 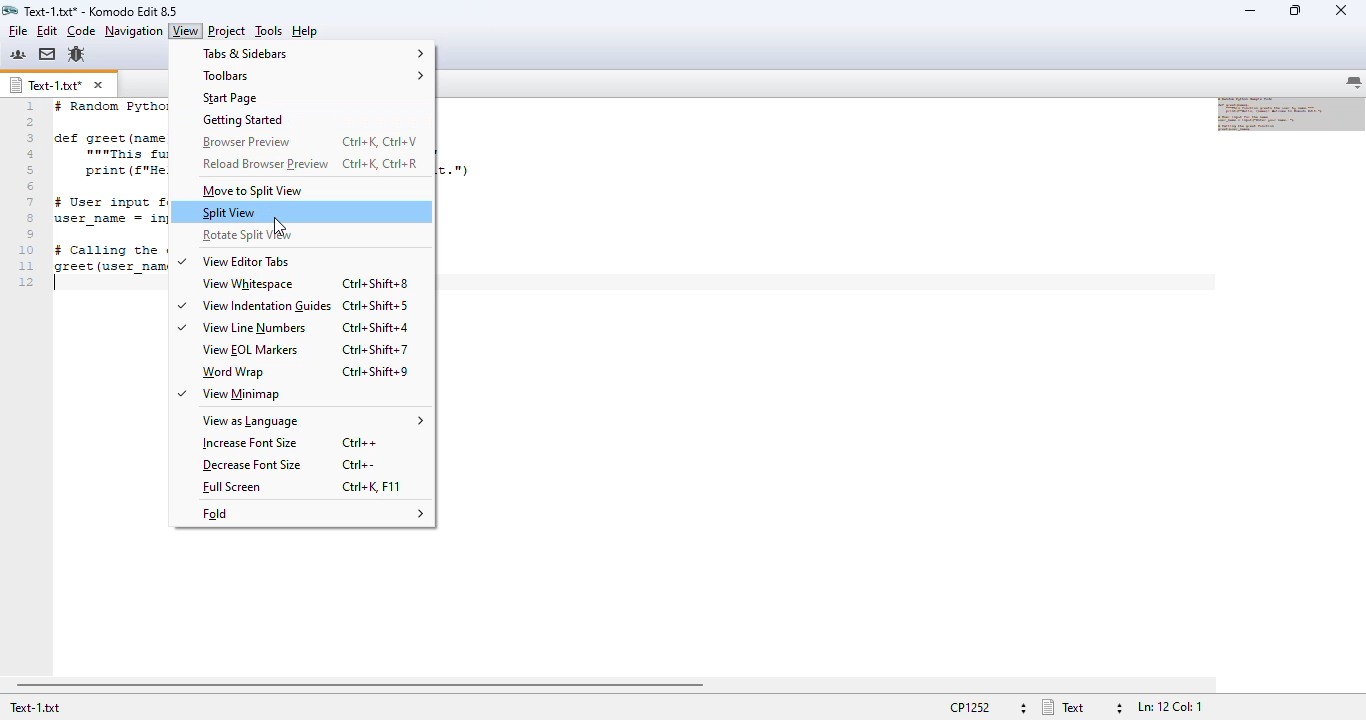 What do you see at coordinates (1341, 11) in the screenshot?
I see `close` at bounding box center [1341, 11].